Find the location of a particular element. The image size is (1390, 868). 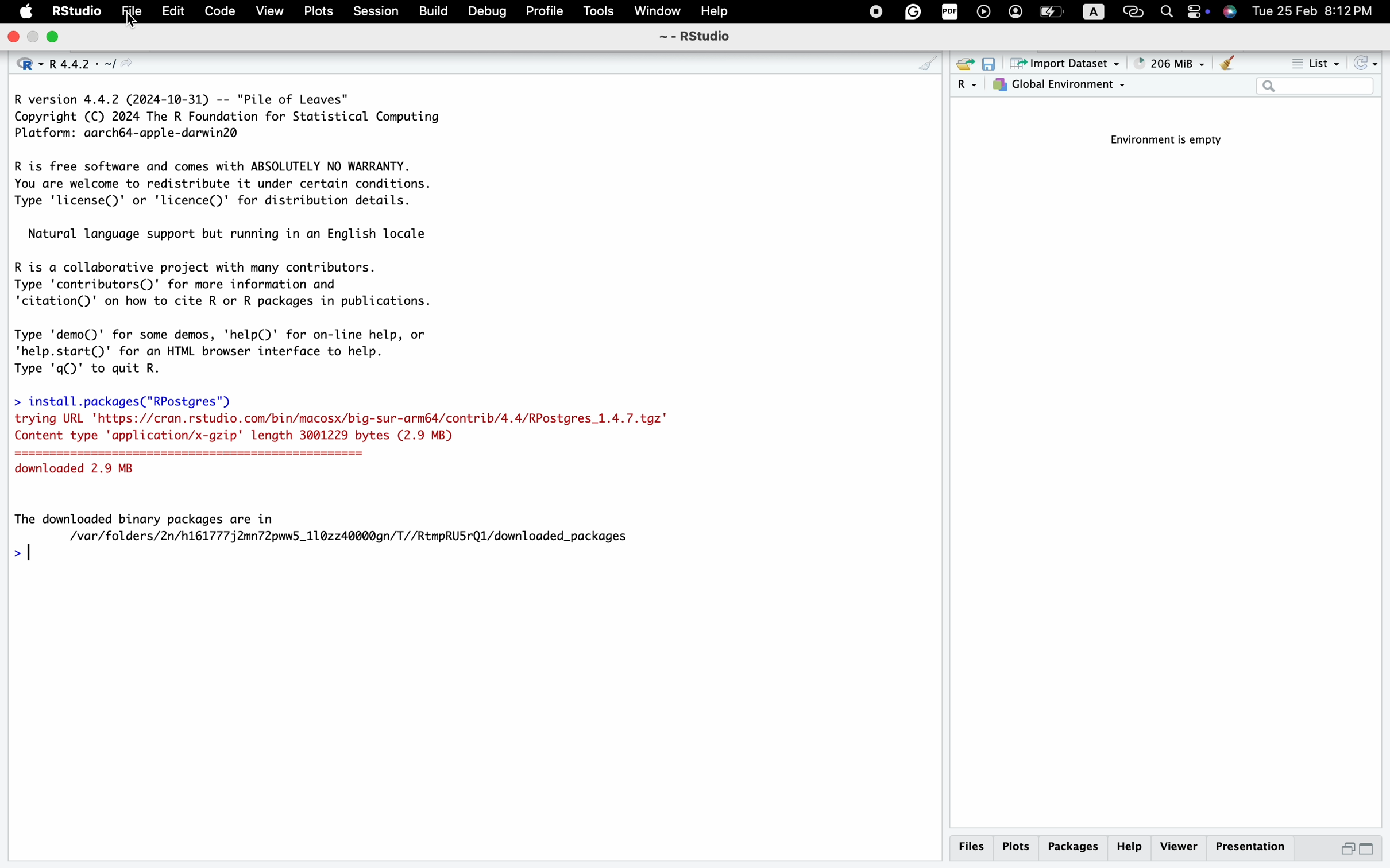

view the current working directory is located at coordinates (132, 65).